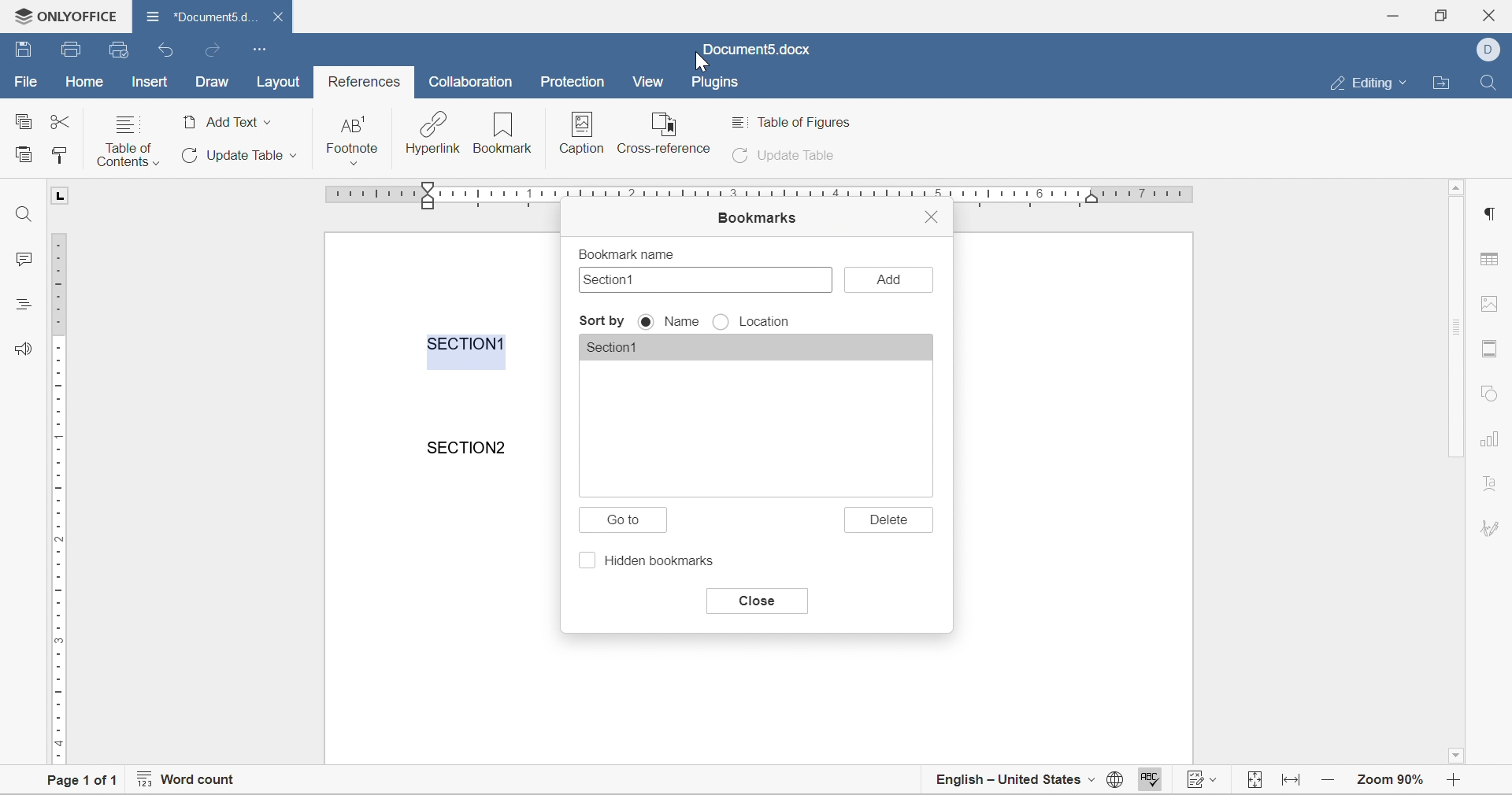 This screenshot has height=795, width=1512. Describe the element at coordinates (624, 349) in the screenshot. I see `Section1` at that location.